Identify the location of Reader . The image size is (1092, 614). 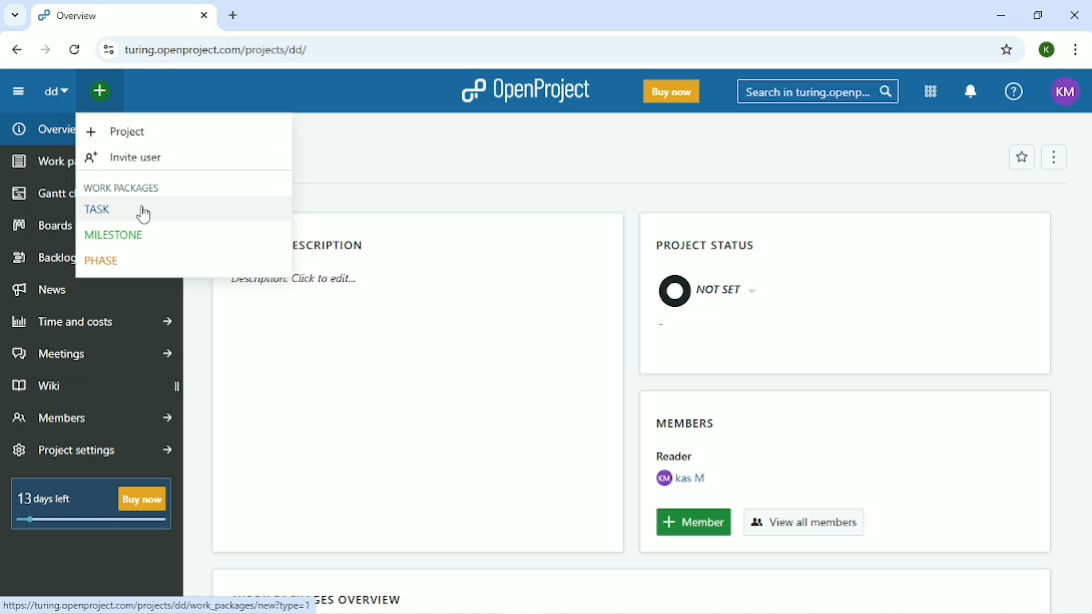
(683, 454).